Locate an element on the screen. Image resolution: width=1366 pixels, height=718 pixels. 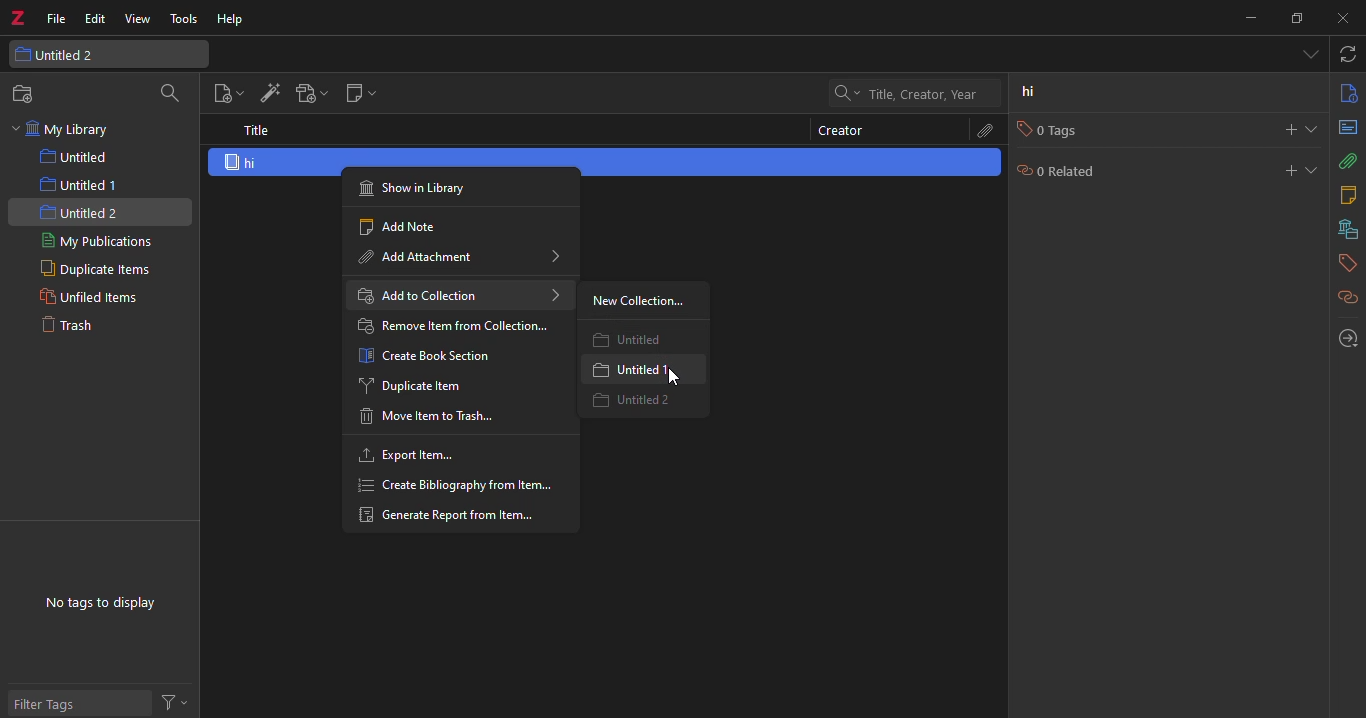
notes is located at coordinates (1349, 194).